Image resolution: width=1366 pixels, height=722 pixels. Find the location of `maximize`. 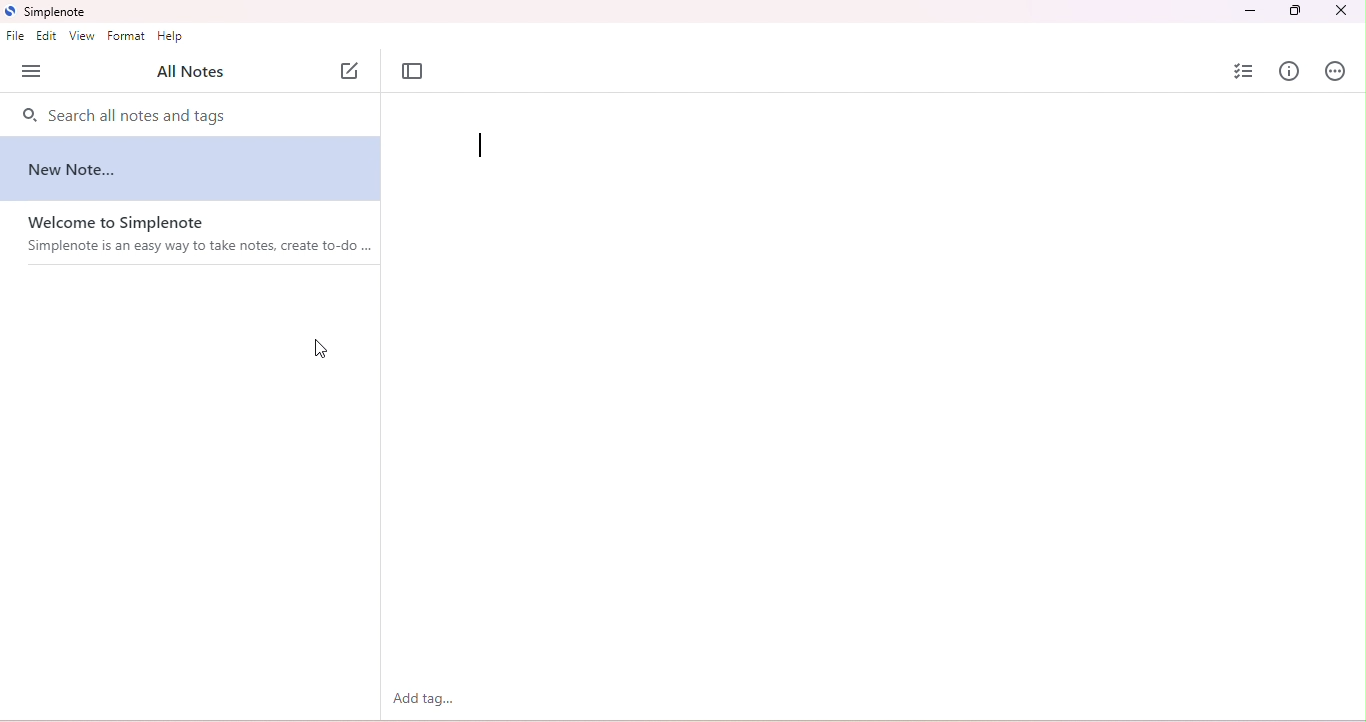

maximize is located at coordinates (1295, 11).